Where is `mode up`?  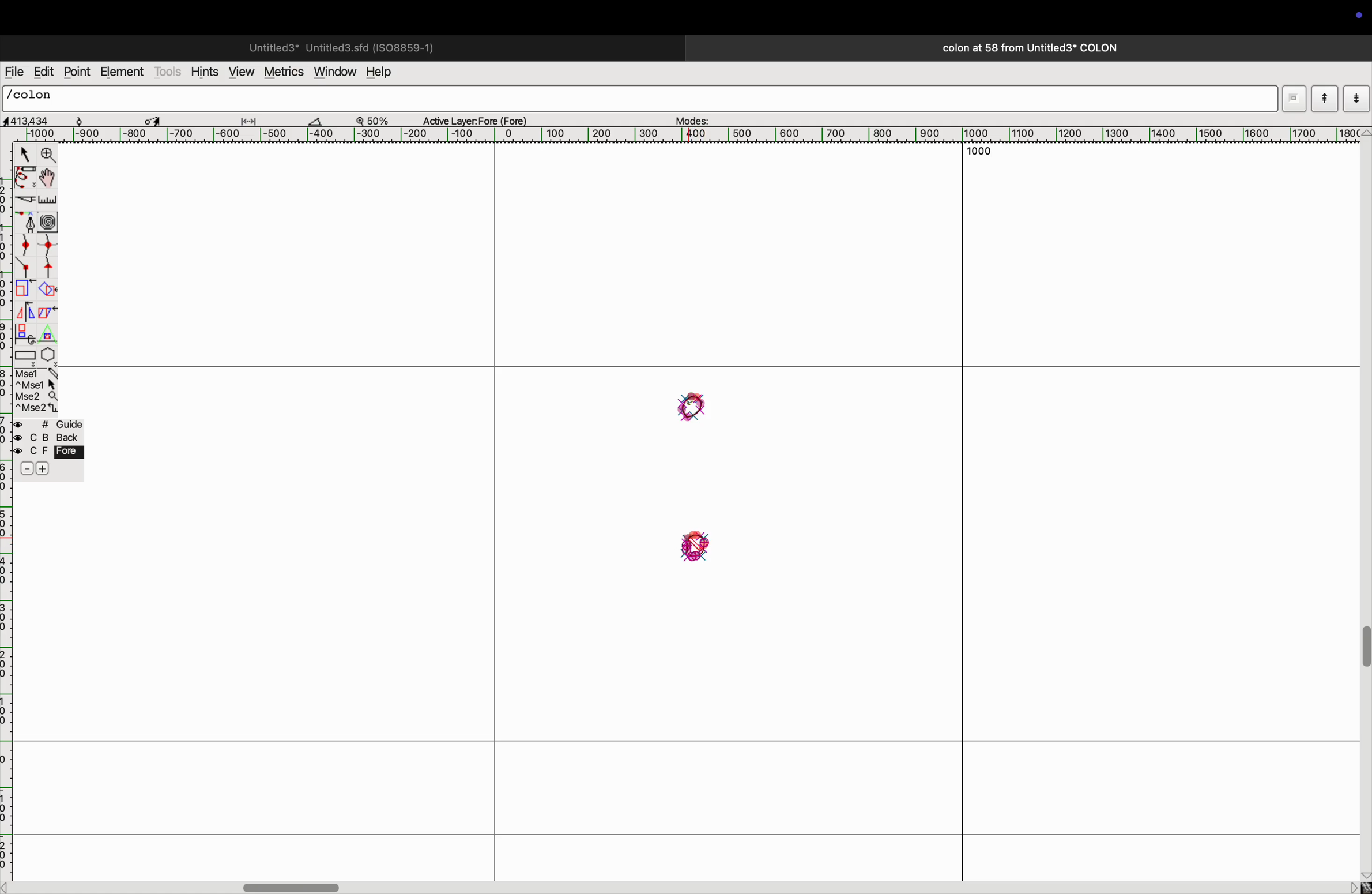
mode up is located at coordinates (1324, 99).